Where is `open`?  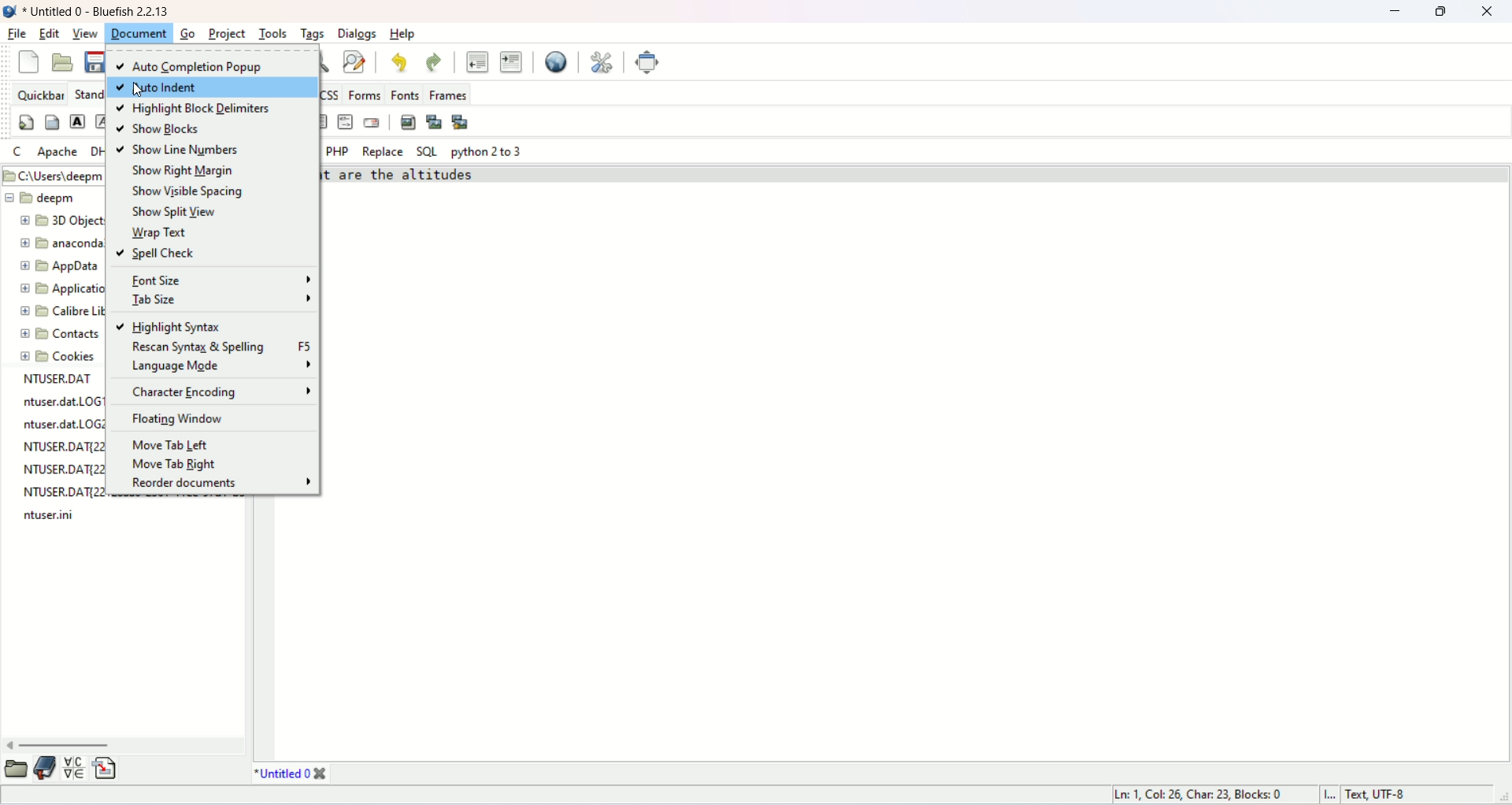 open is located at coordinates (63, 63).